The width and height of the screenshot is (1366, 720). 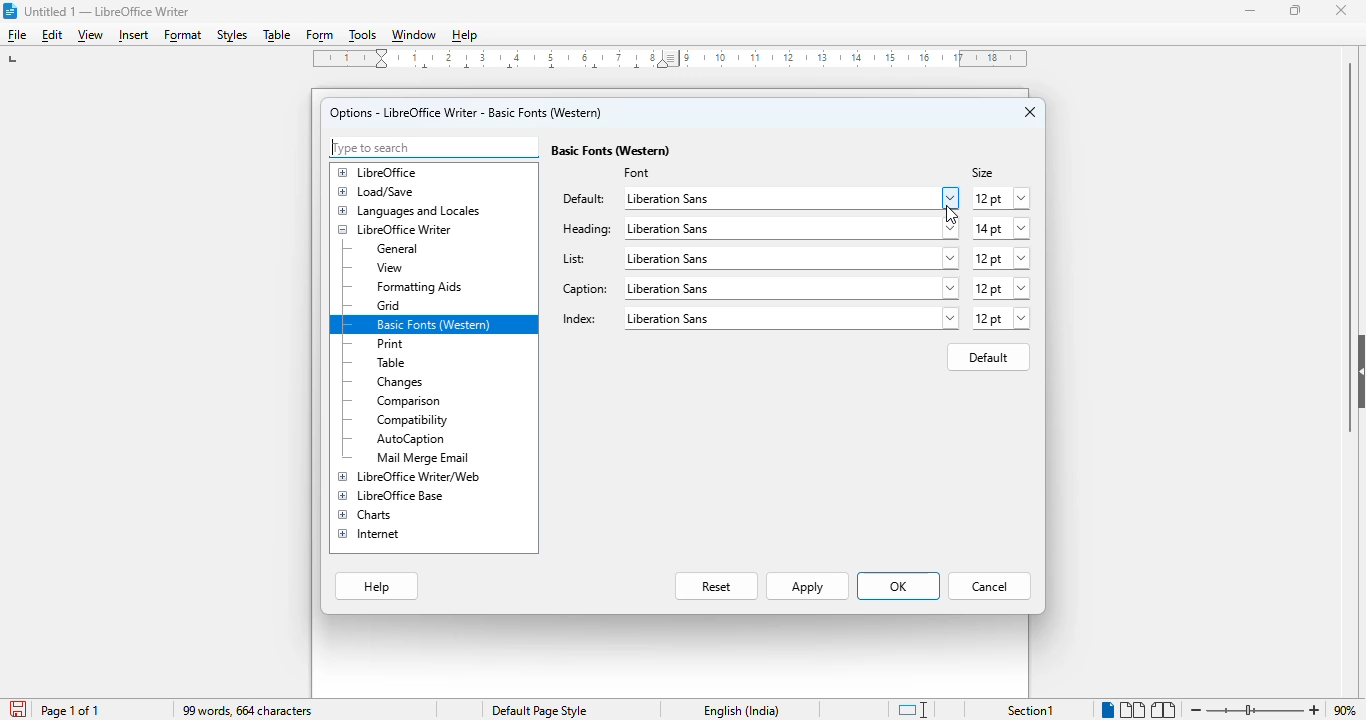 What do you see at coordinates (411, 476) in the screenshot?
I see `LibreOffice Writer/web` at bounding box center [411, 476].